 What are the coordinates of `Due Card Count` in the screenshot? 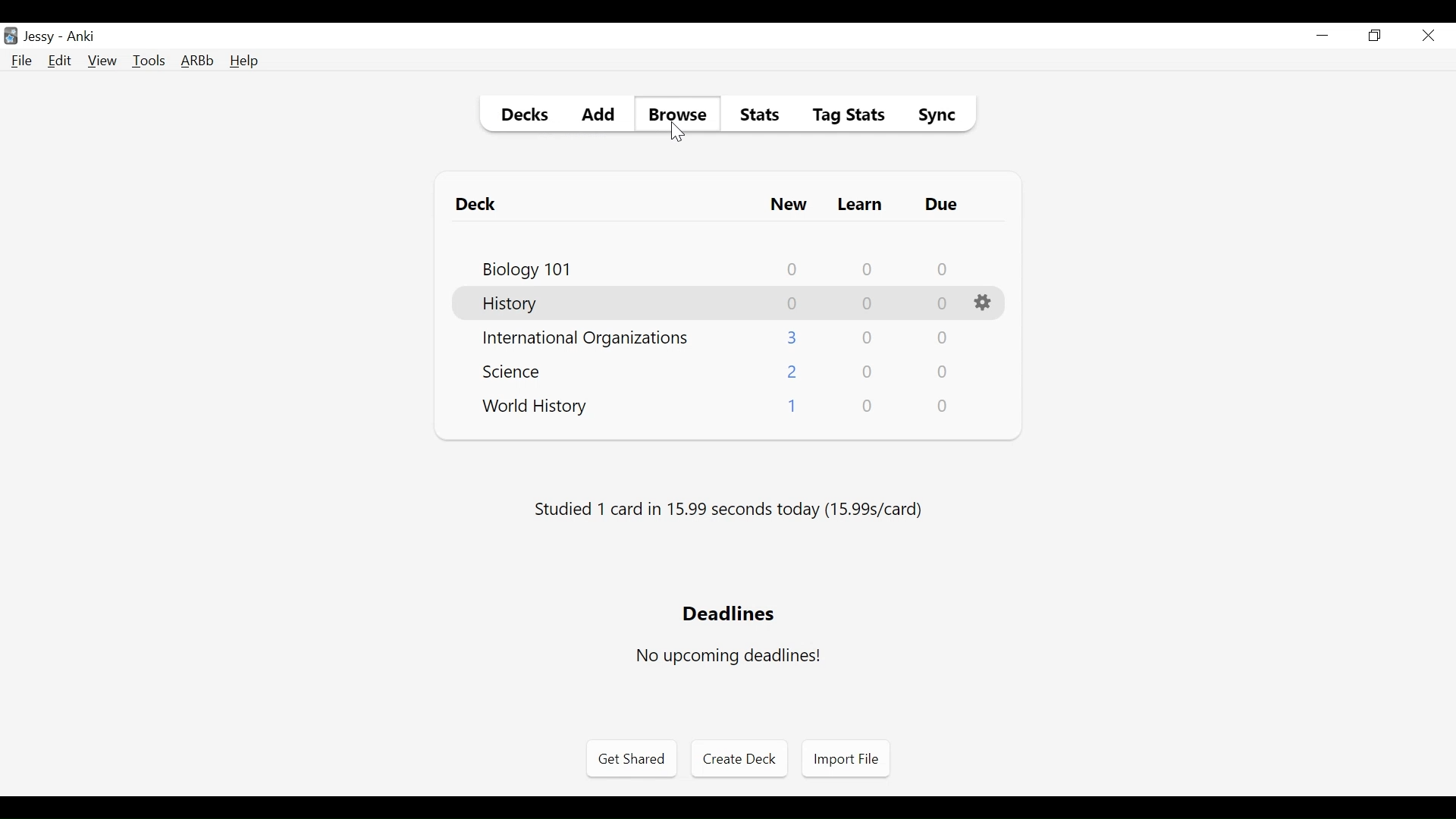 It's located at (943, 269).